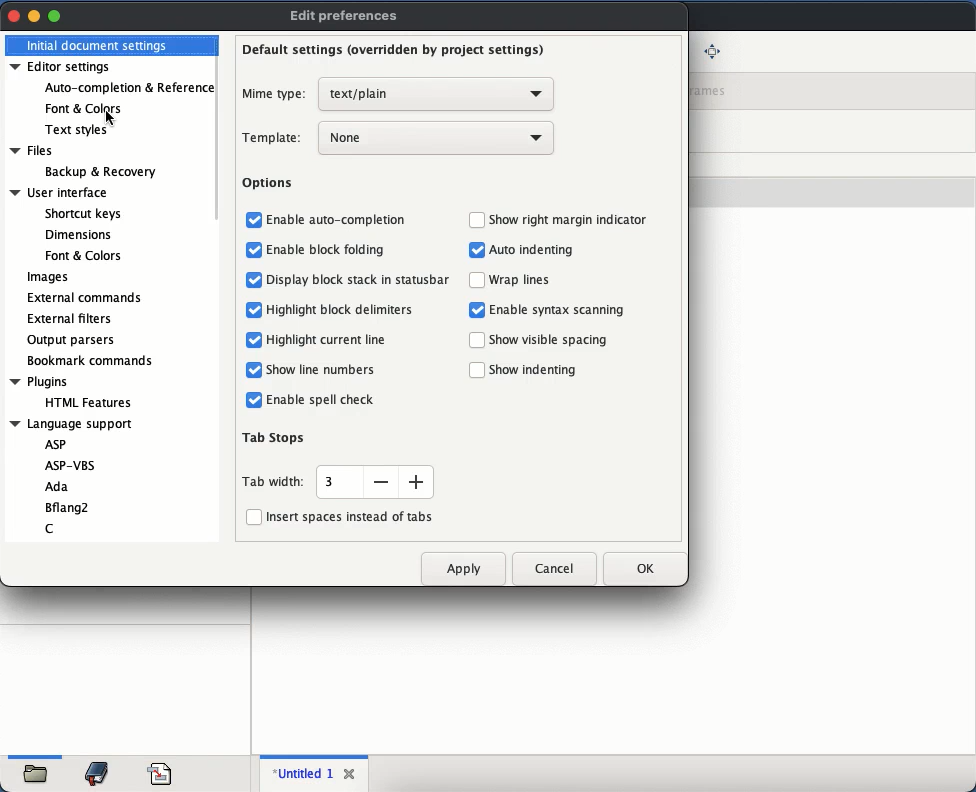  Describe the element at coordinates (99, 171) in the screenshot. I see `Backup & Recovery` at that location.